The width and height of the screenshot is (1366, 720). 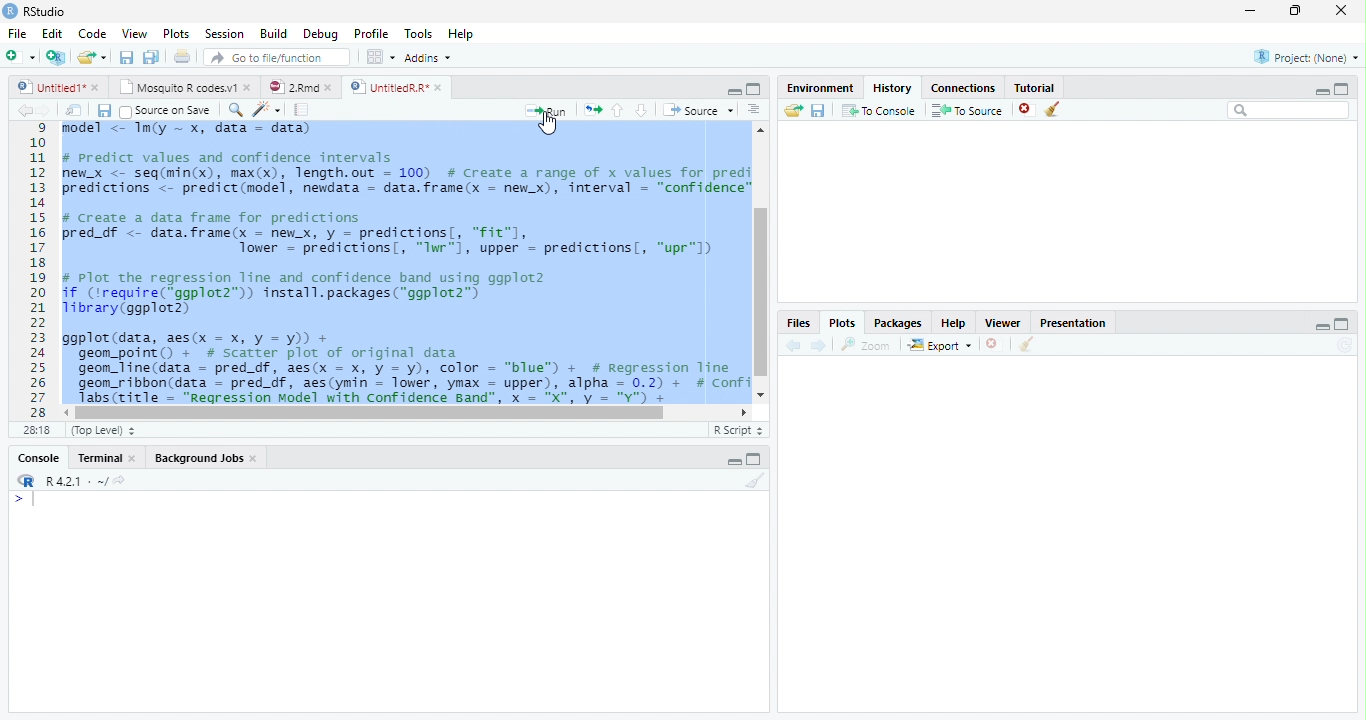 What do you see at coordinates (393, 86) in the screenshot?
I see `Untitled R` at bounding box center [393, 86].